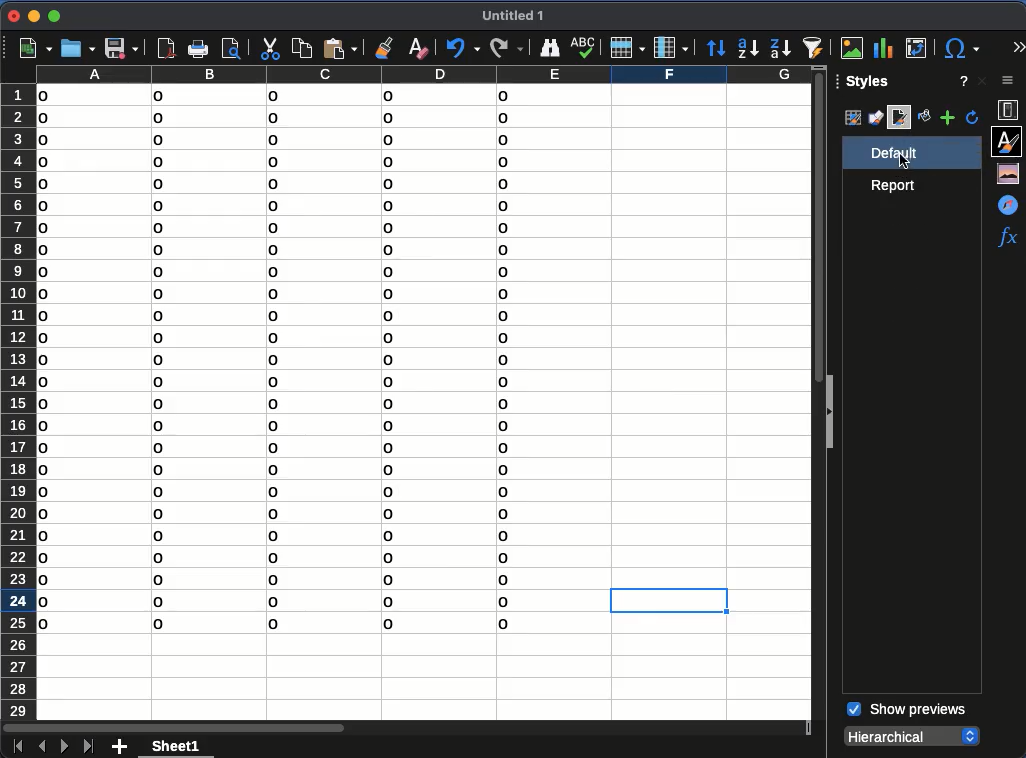 The width and height of the screenshot is (1026, 758). I want to click on functions, so click(1007, 239).